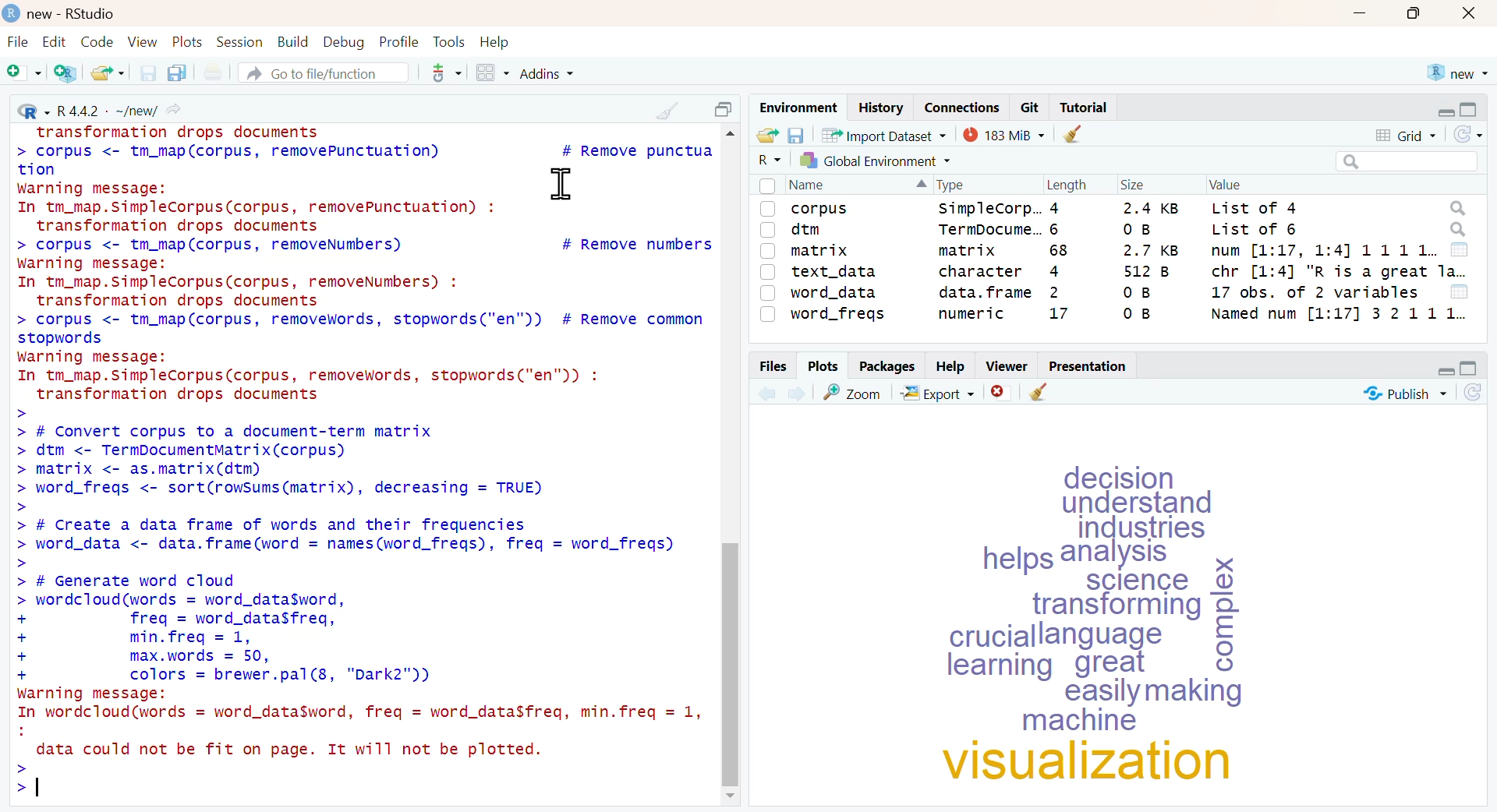  What do you see at coordinates (1325, 250) in the screenshot?
I see `num [1:17, 1:4] 1 1 1 1...` at bounding box center [1325, 250].